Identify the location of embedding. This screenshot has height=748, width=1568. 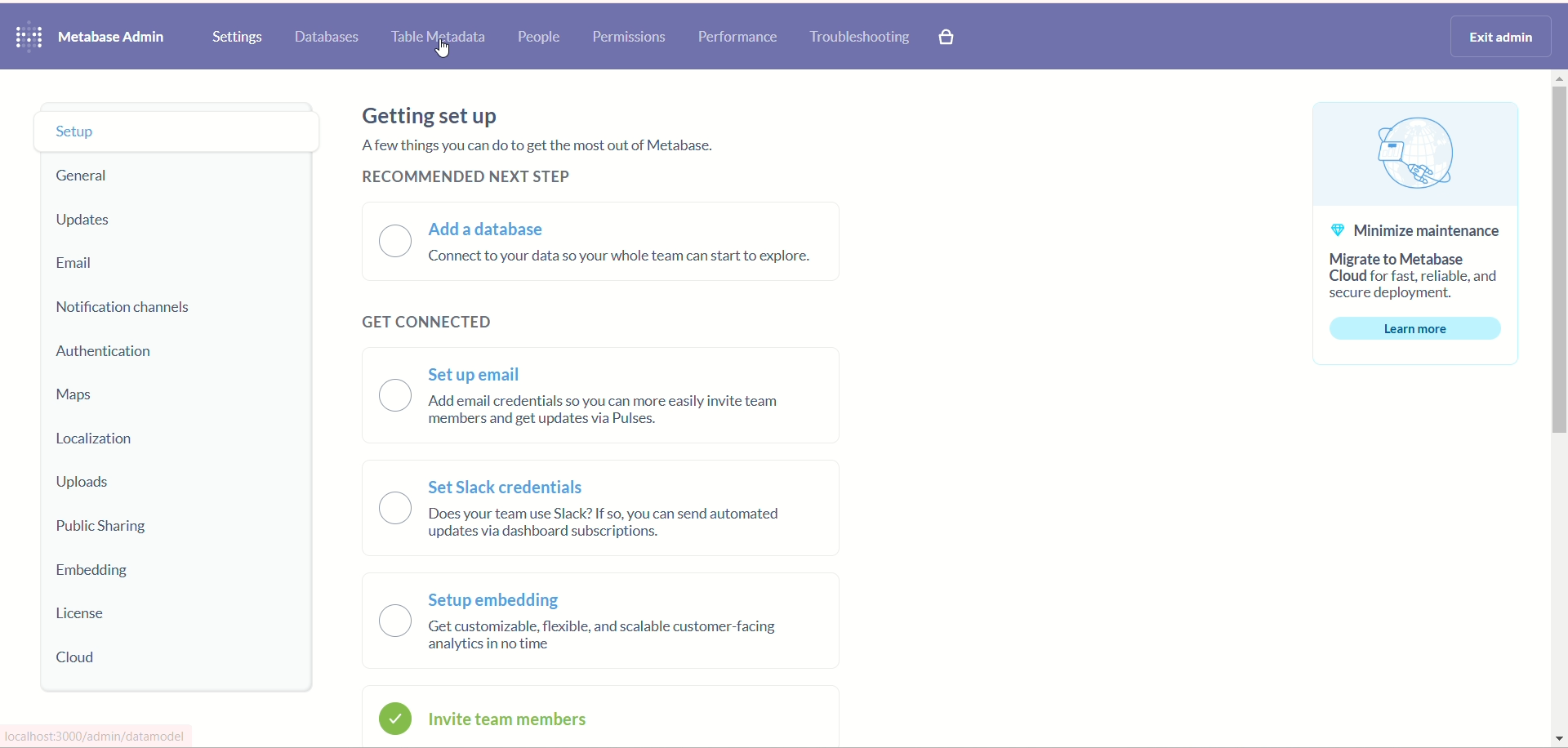
(102, 573).